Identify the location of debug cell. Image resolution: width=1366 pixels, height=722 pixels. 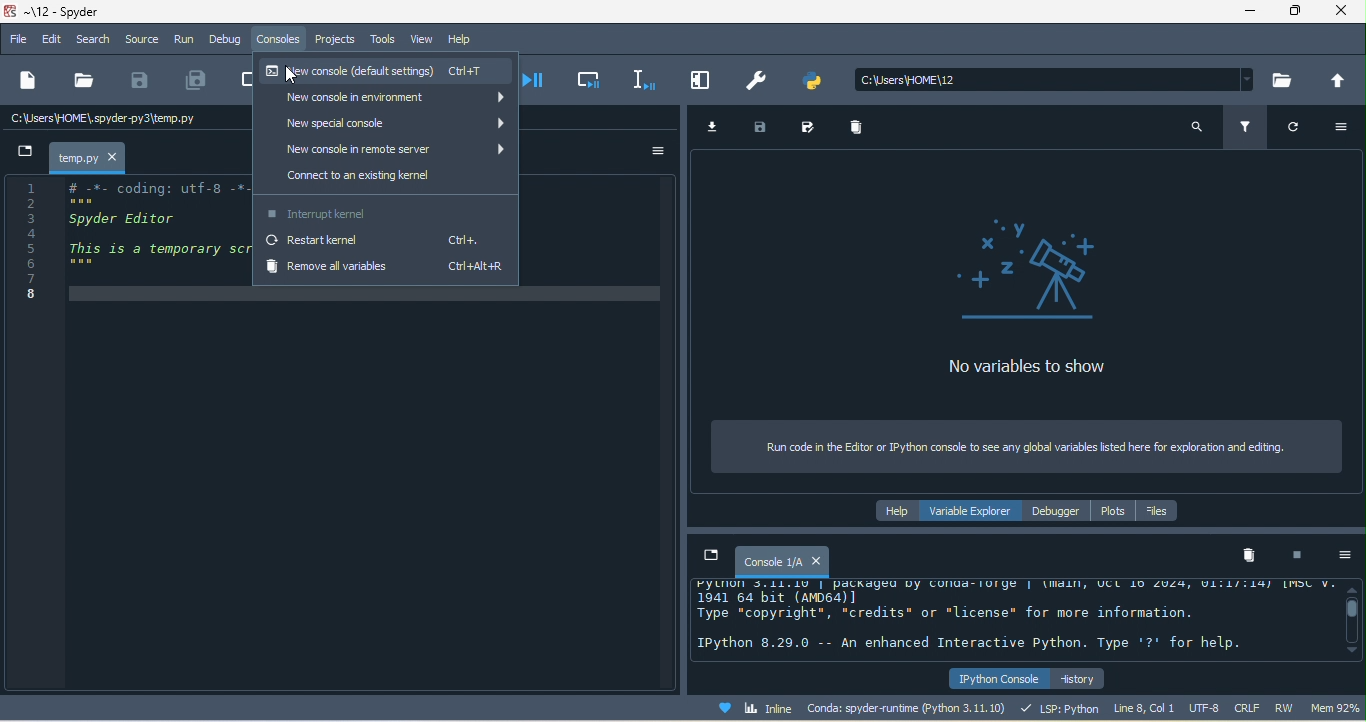
(593, 83).